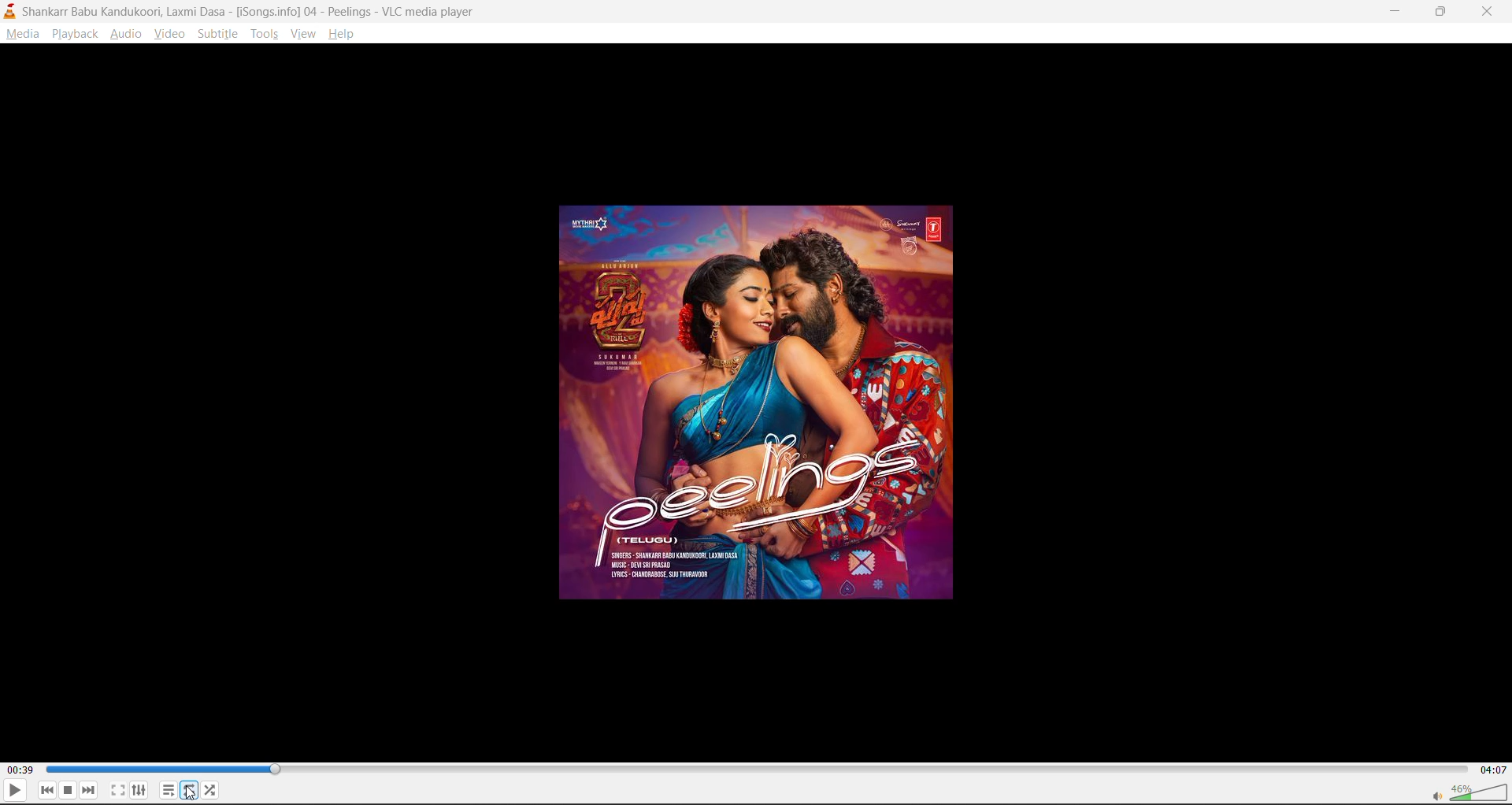 The image size is (1512, 805). Describe the element at coordinates (88, 791) in the screenshot. I see `next` at that location.